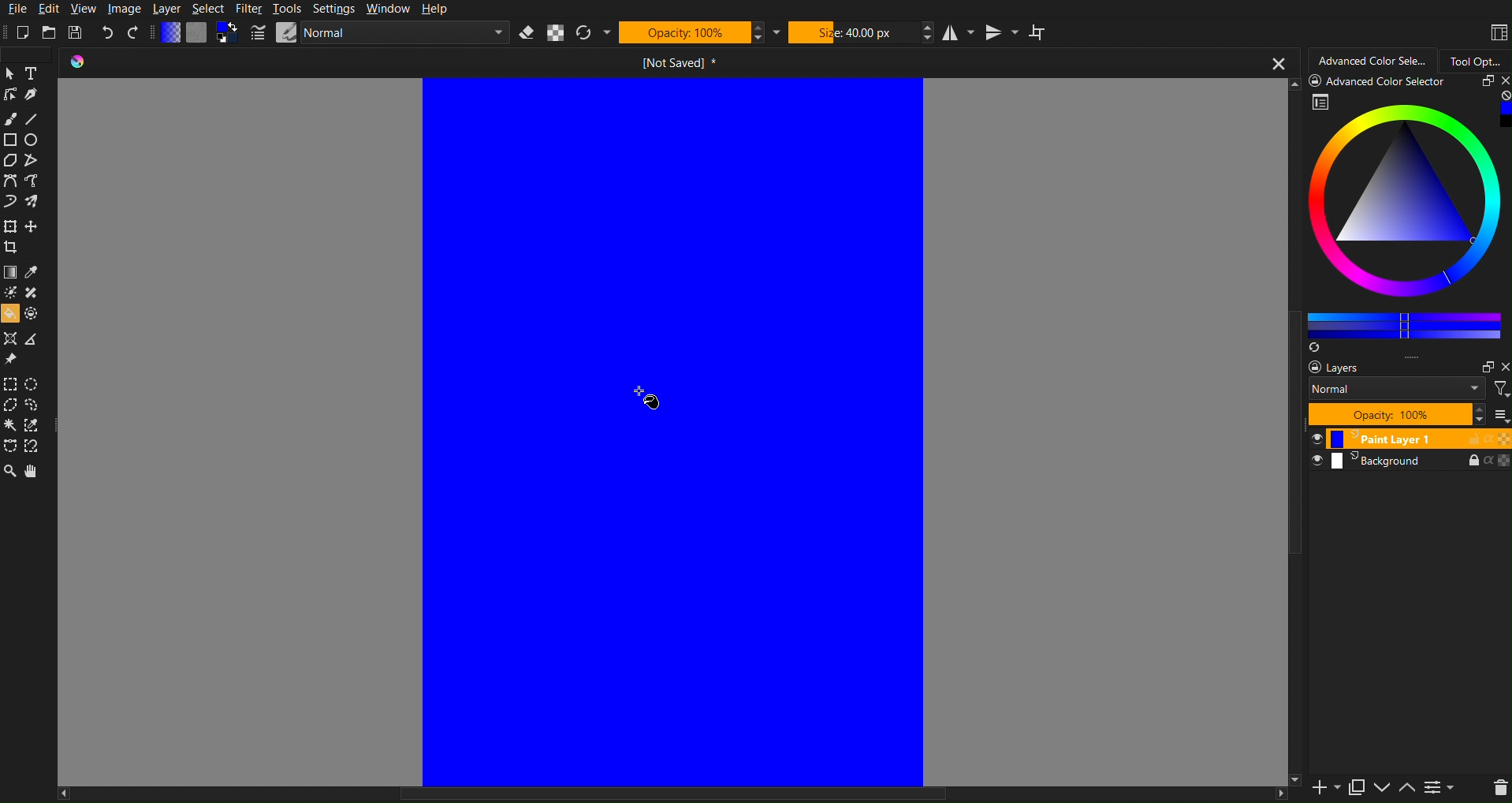 This screenshot has height=803, width=1512. I want to click on Send Under, so click(1381, 786).